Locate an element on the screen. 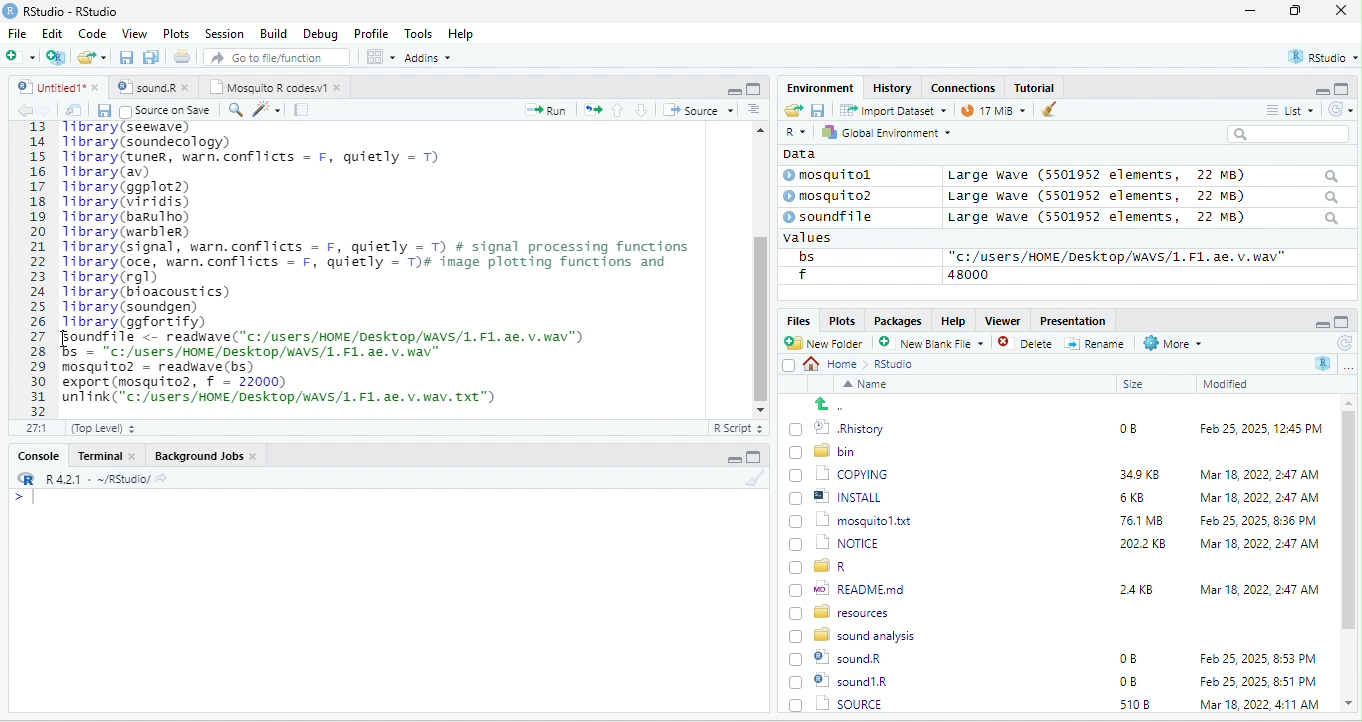 This screenshot has height=722, width=1362. more is located at coordinates (1348, 366).